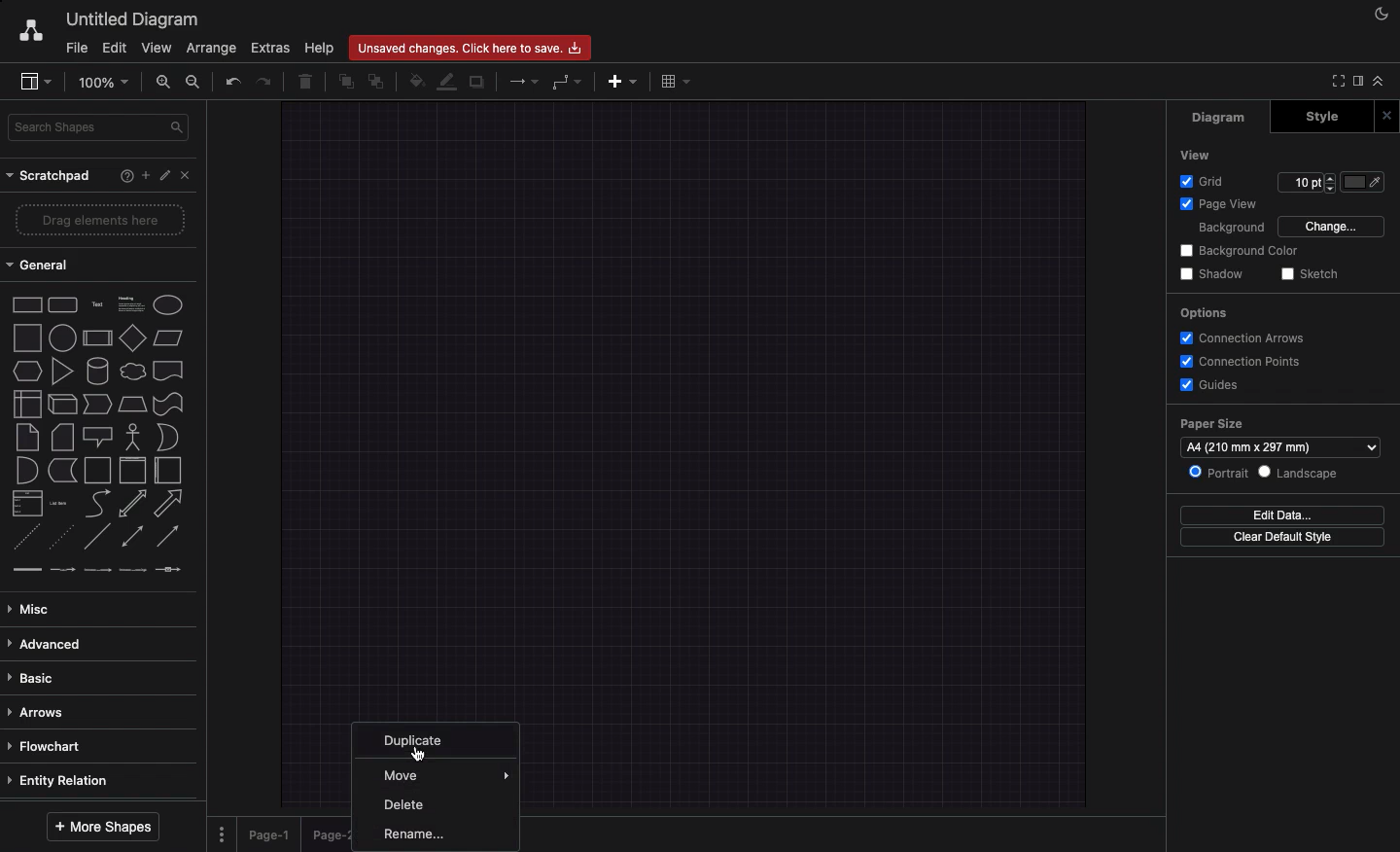 The image size is (1400, 852). I want to click on Zoom in, so click(161, 85).